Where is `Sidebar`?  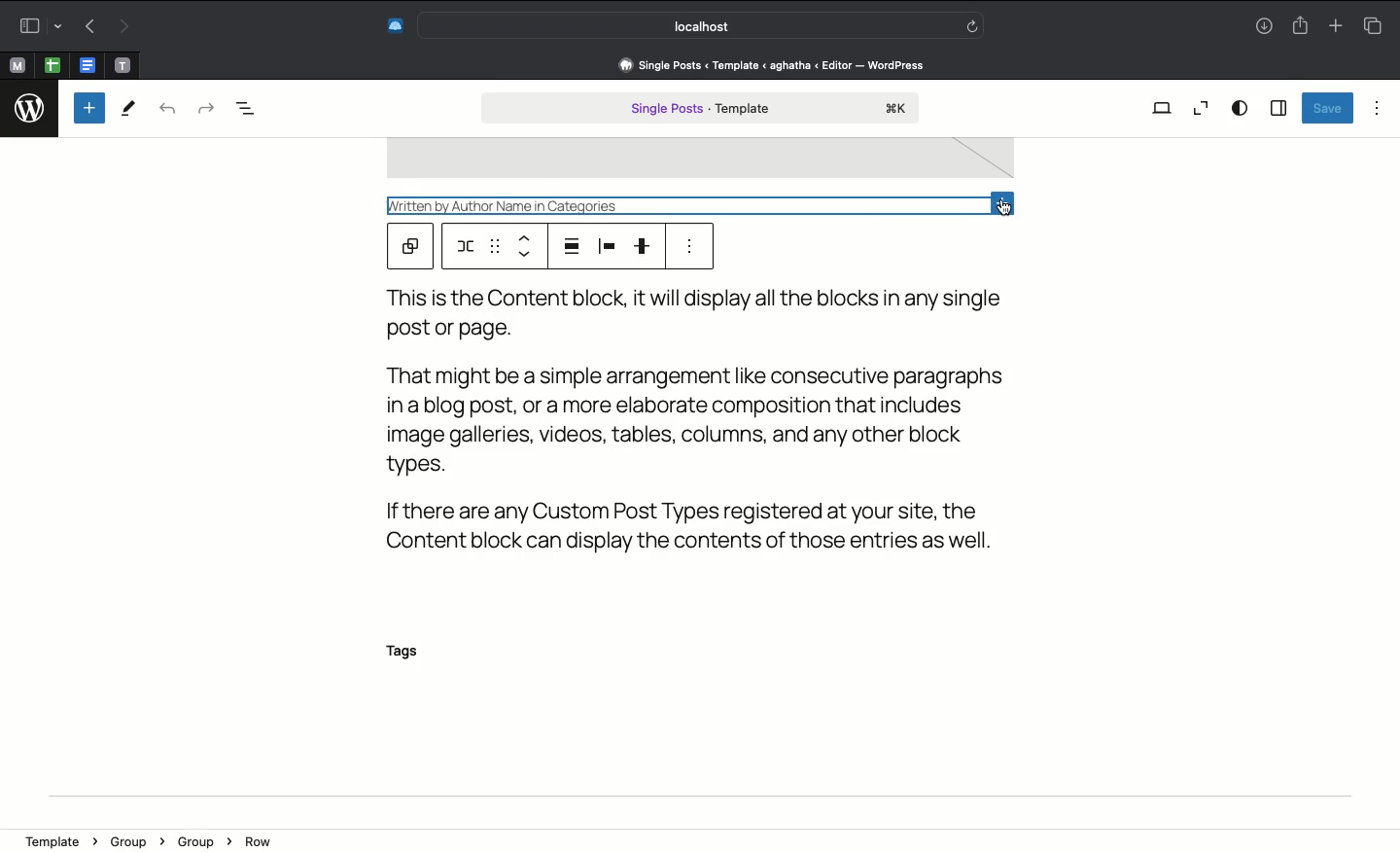 Sidebar is located at coordinates (36, 26).